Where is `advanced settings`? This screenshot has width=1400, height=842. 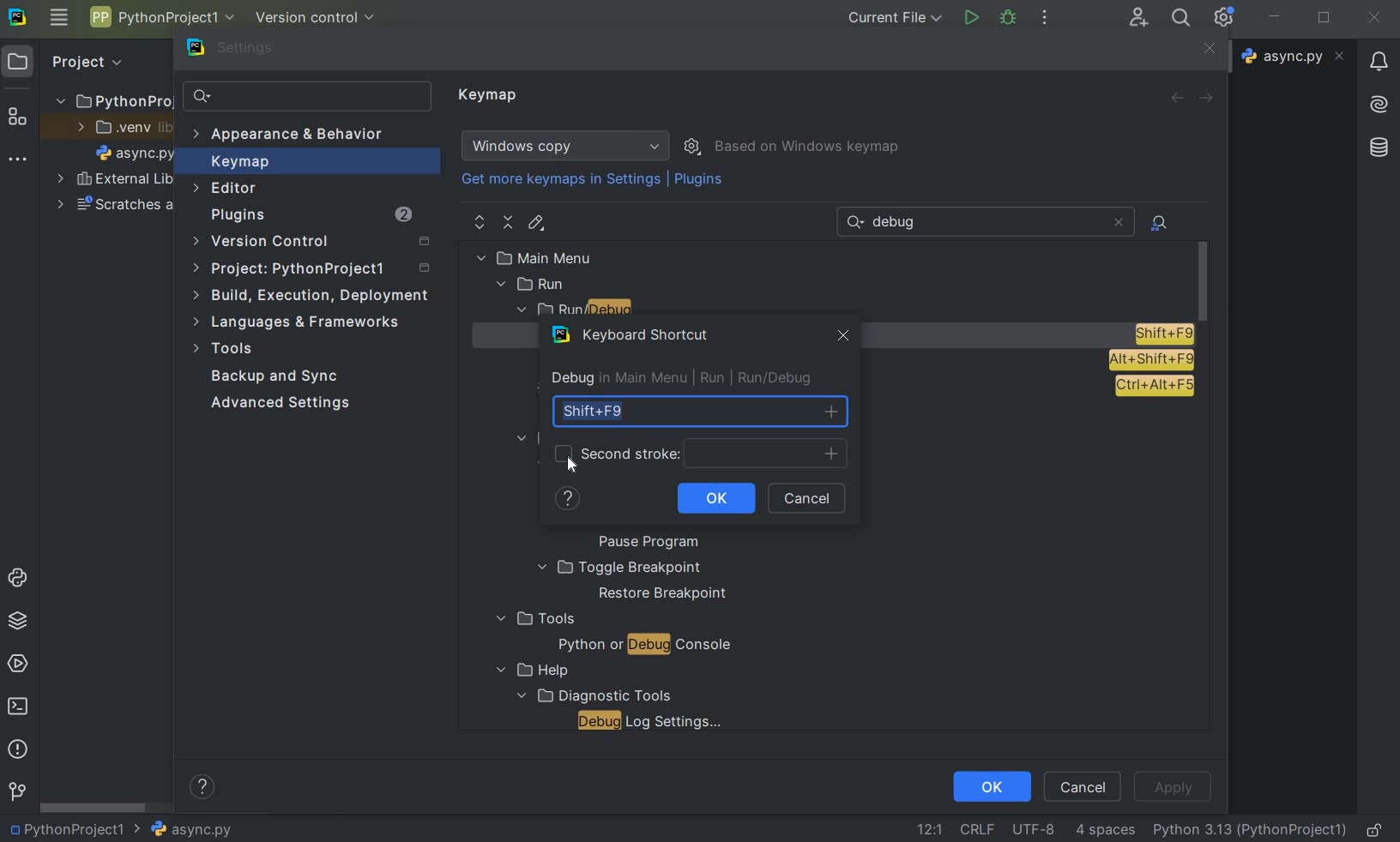
advanced settings is located at coordinates (277, 403).